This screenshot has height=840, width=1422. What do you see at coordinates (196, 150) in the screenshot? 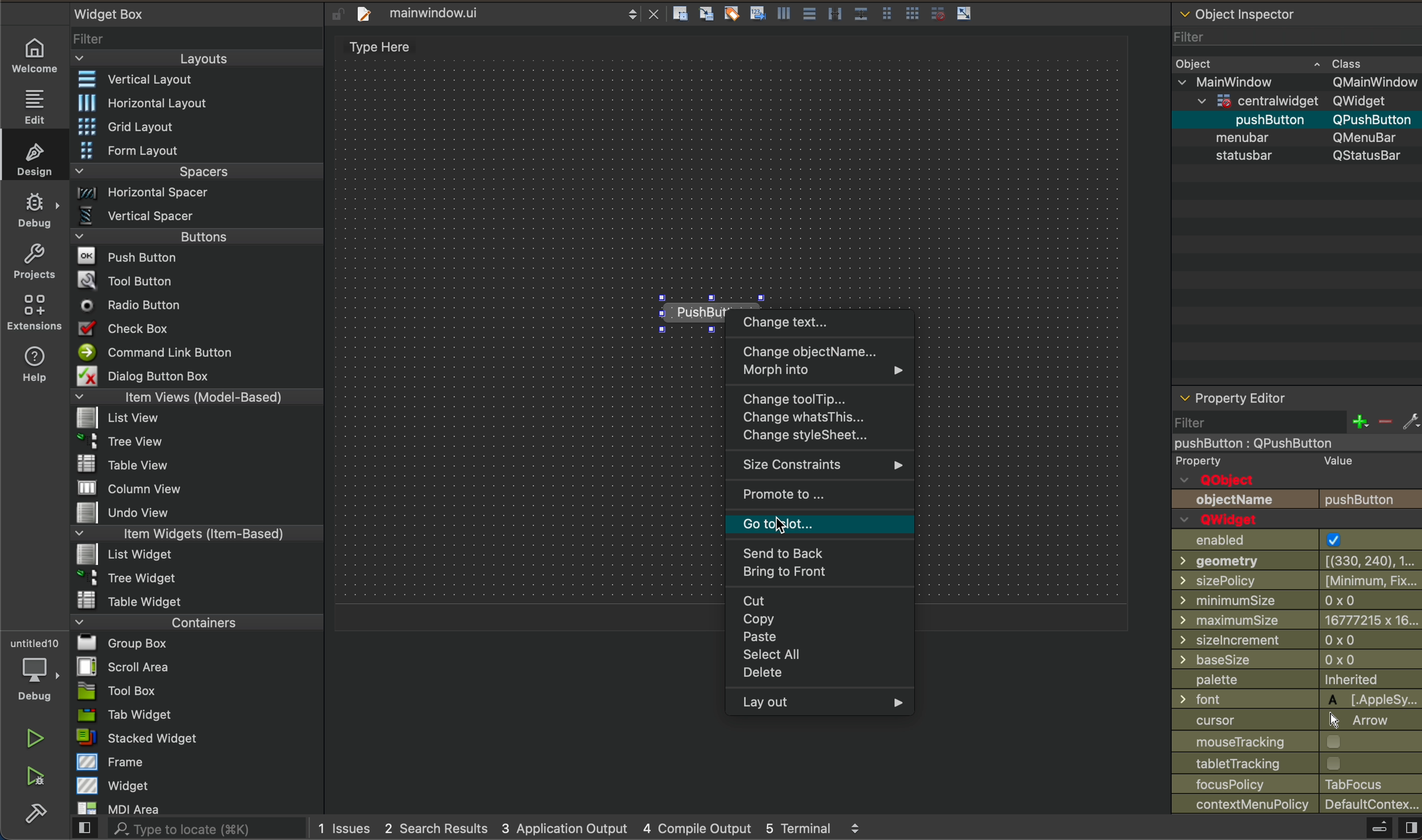
I see `form layout` at bounding box center [196, 150].